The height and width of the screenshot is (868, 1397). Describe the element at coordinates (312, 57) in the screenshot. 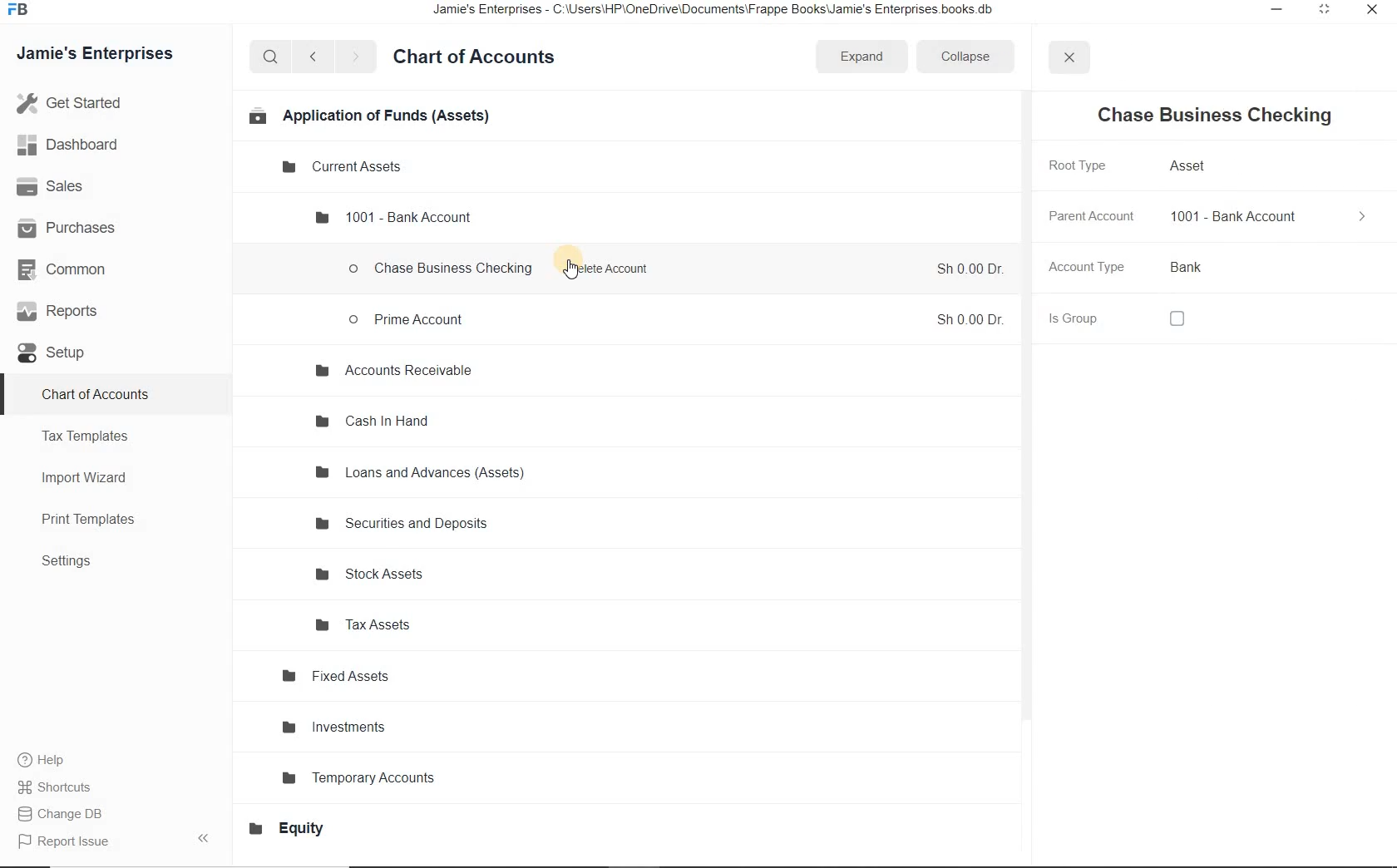

I see `backward` at that location.